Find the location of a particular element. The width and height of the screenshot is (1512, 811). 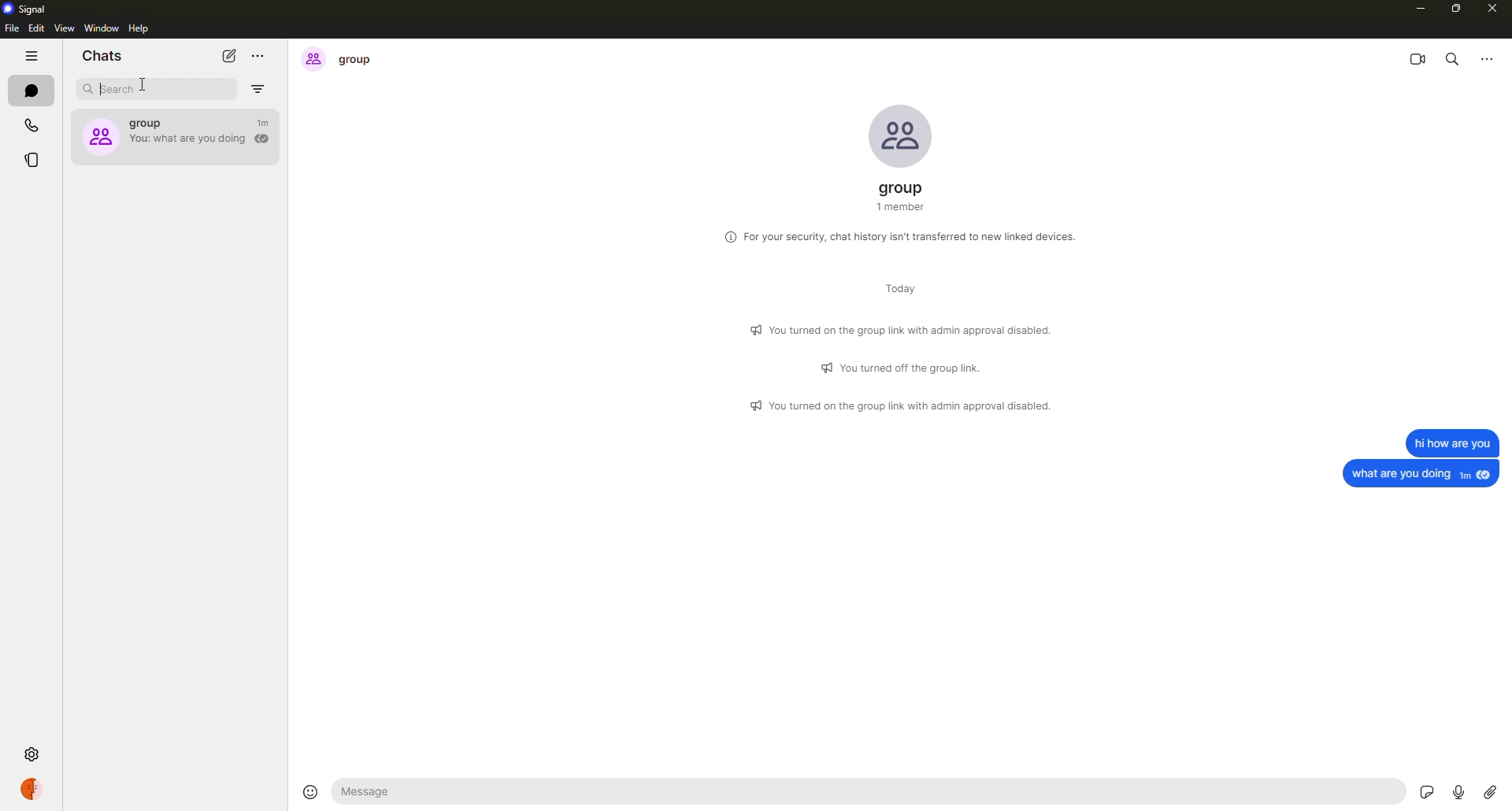

info is located at coordinates (905, 367).